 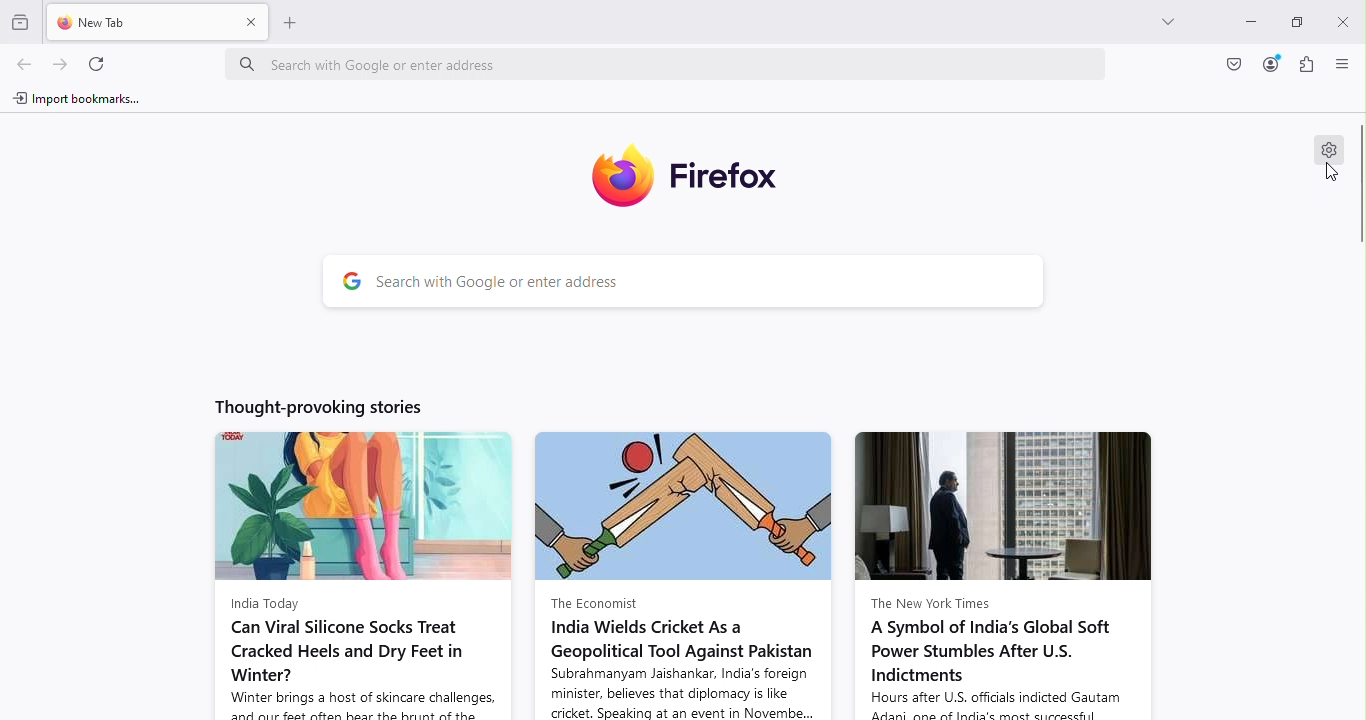 I want to click on Go back one page, so click(x=22, y=65).